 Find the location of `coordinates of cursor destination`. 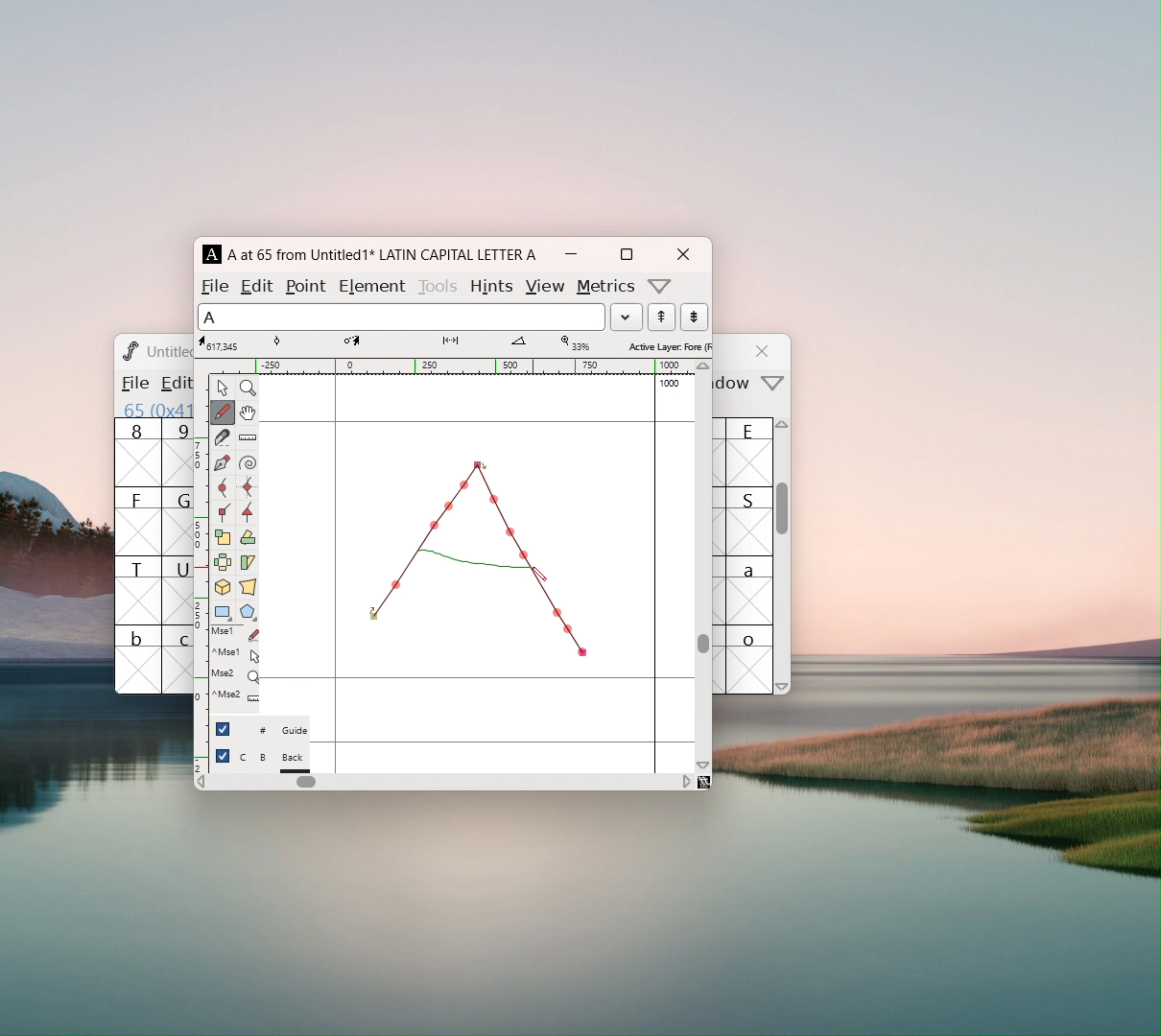

coordinates of cursor destination is located at coordinates (370, 343).